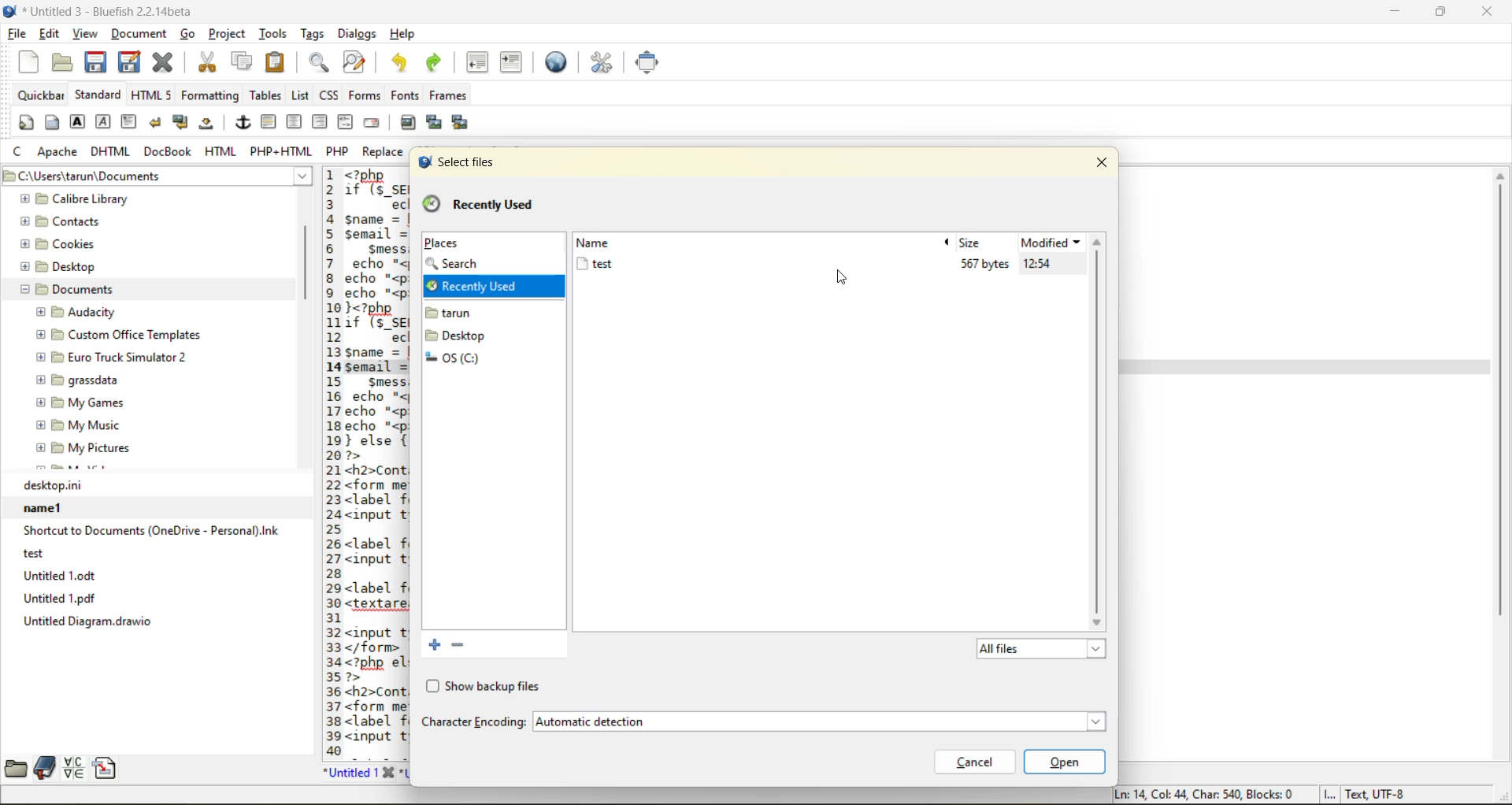  What do you see at coordinates (984, 264) in the screenshot?
I see `file size` at bounding box center [984, 264].